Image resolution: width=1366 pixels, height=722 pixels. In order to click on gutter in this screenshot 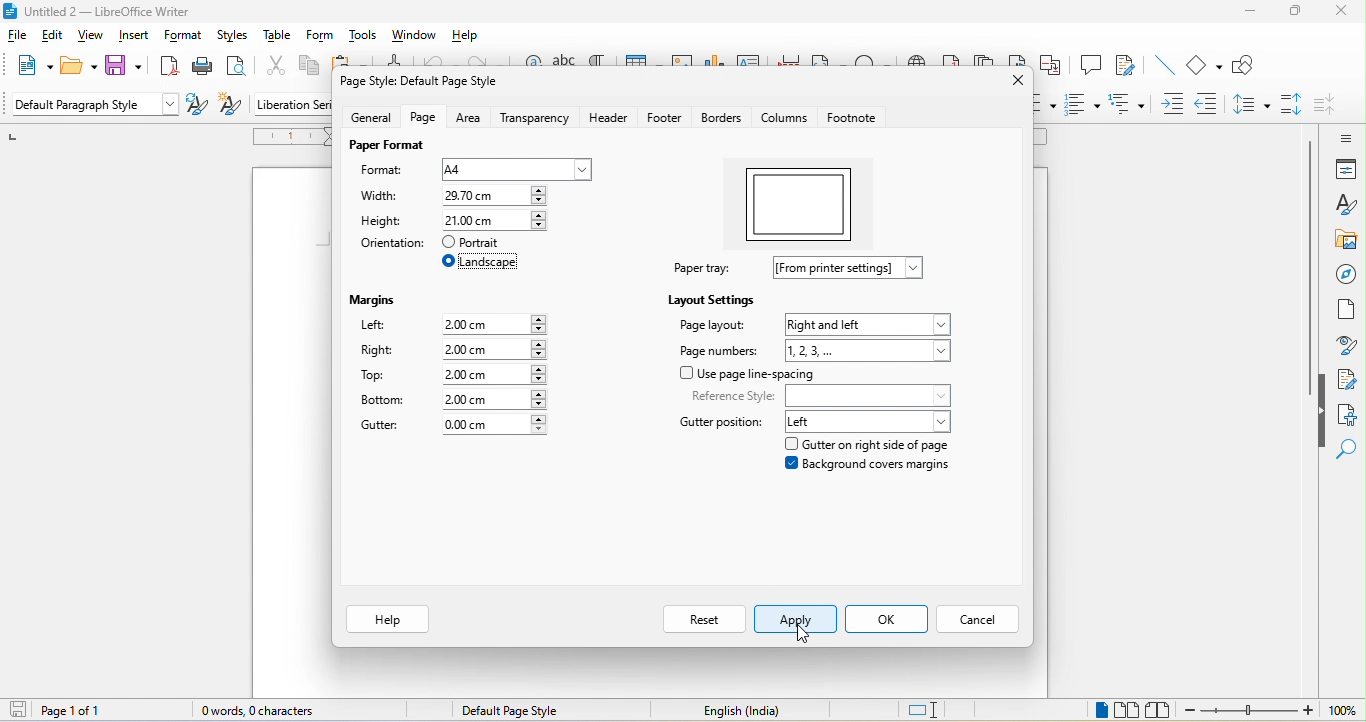, I will do `click(382, 424)`.